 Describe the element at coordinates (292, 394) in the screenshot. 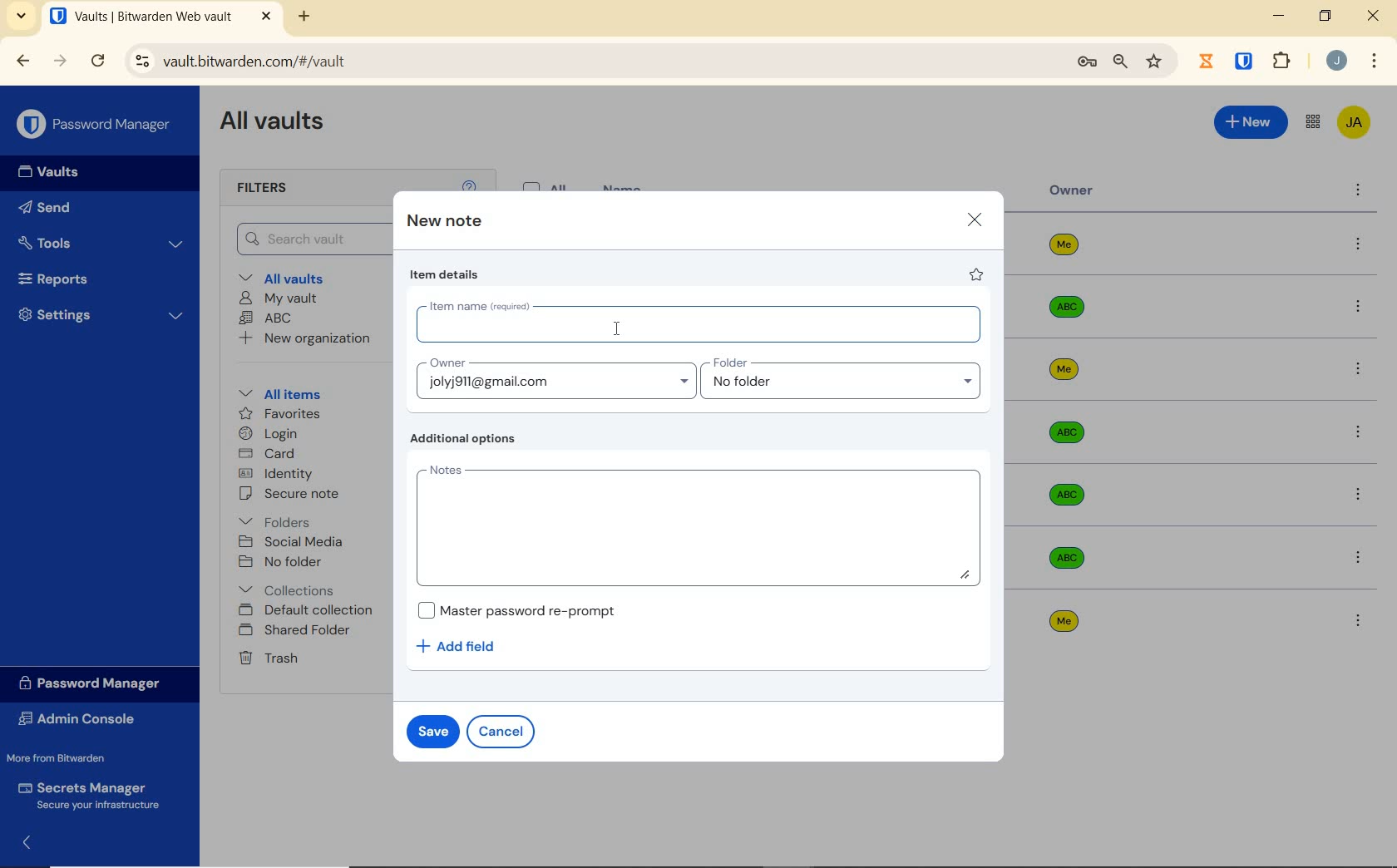

I see `All items` at that location.